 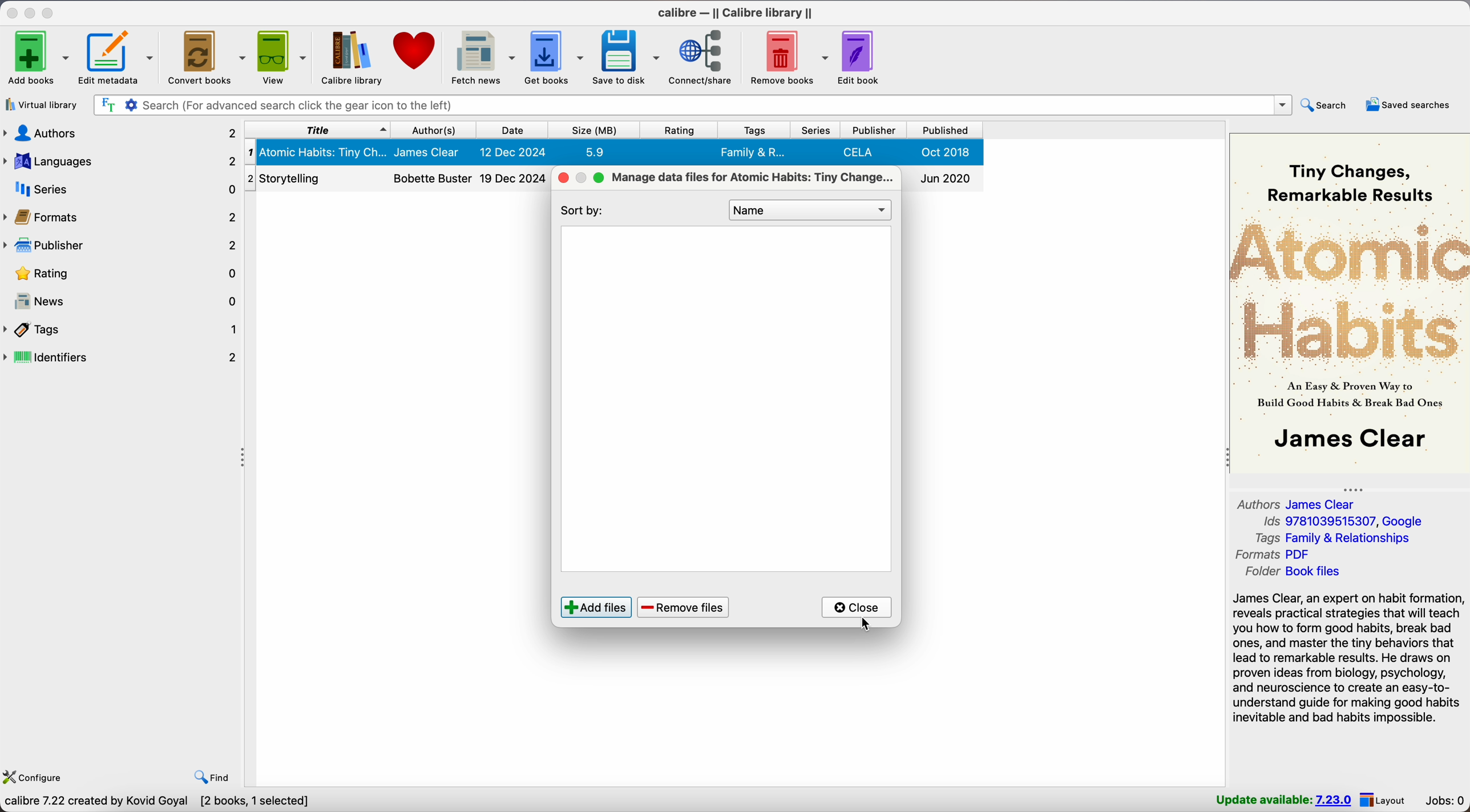 What do you see at coordinates (693, 106) in the screenshot?
I see `search bar` at bounding box center [693, 106].